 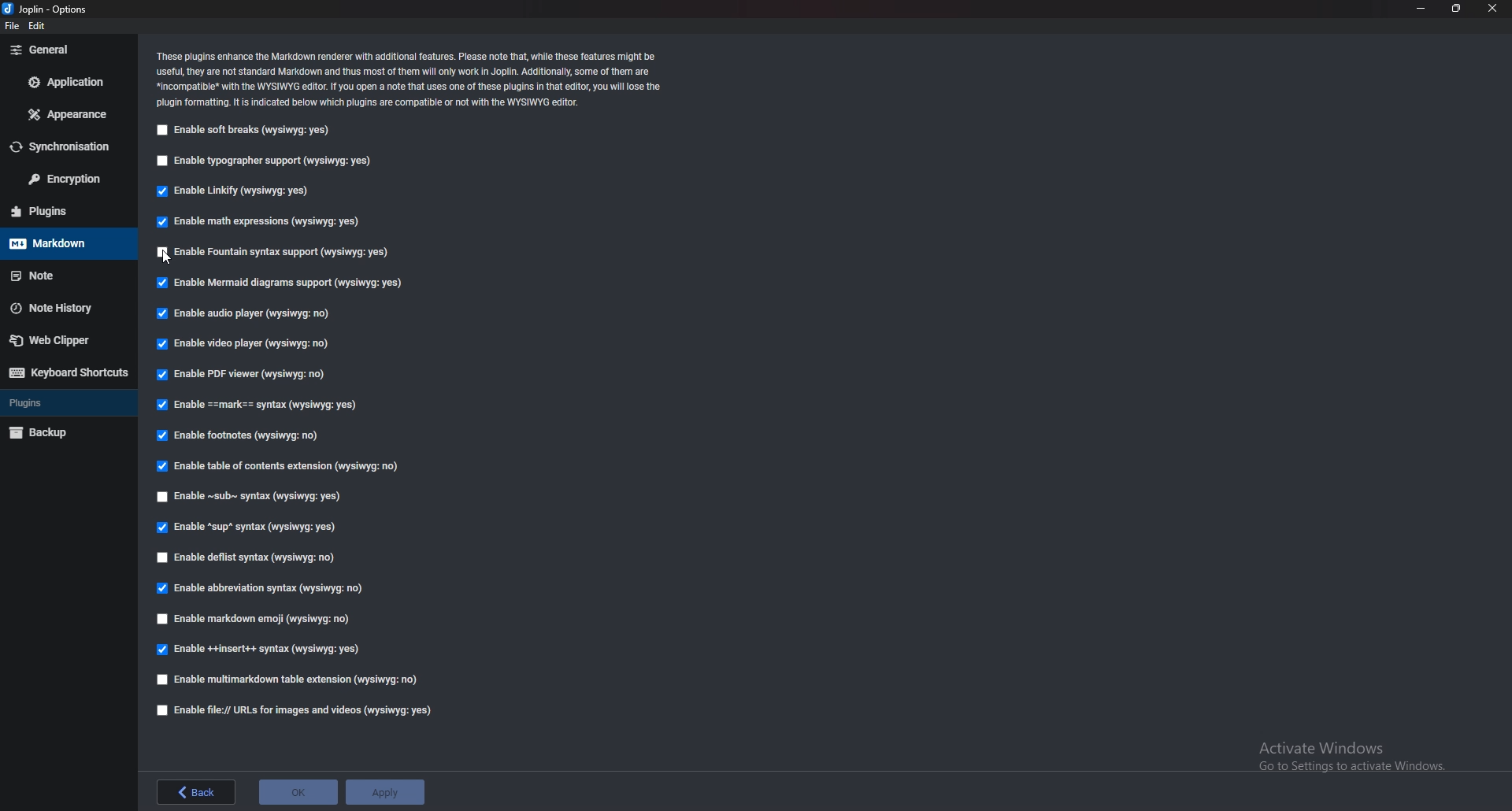 What do you see at coordinates (43, 27) in the screenshot?
I see `edit` at bounding box center [43, 27].